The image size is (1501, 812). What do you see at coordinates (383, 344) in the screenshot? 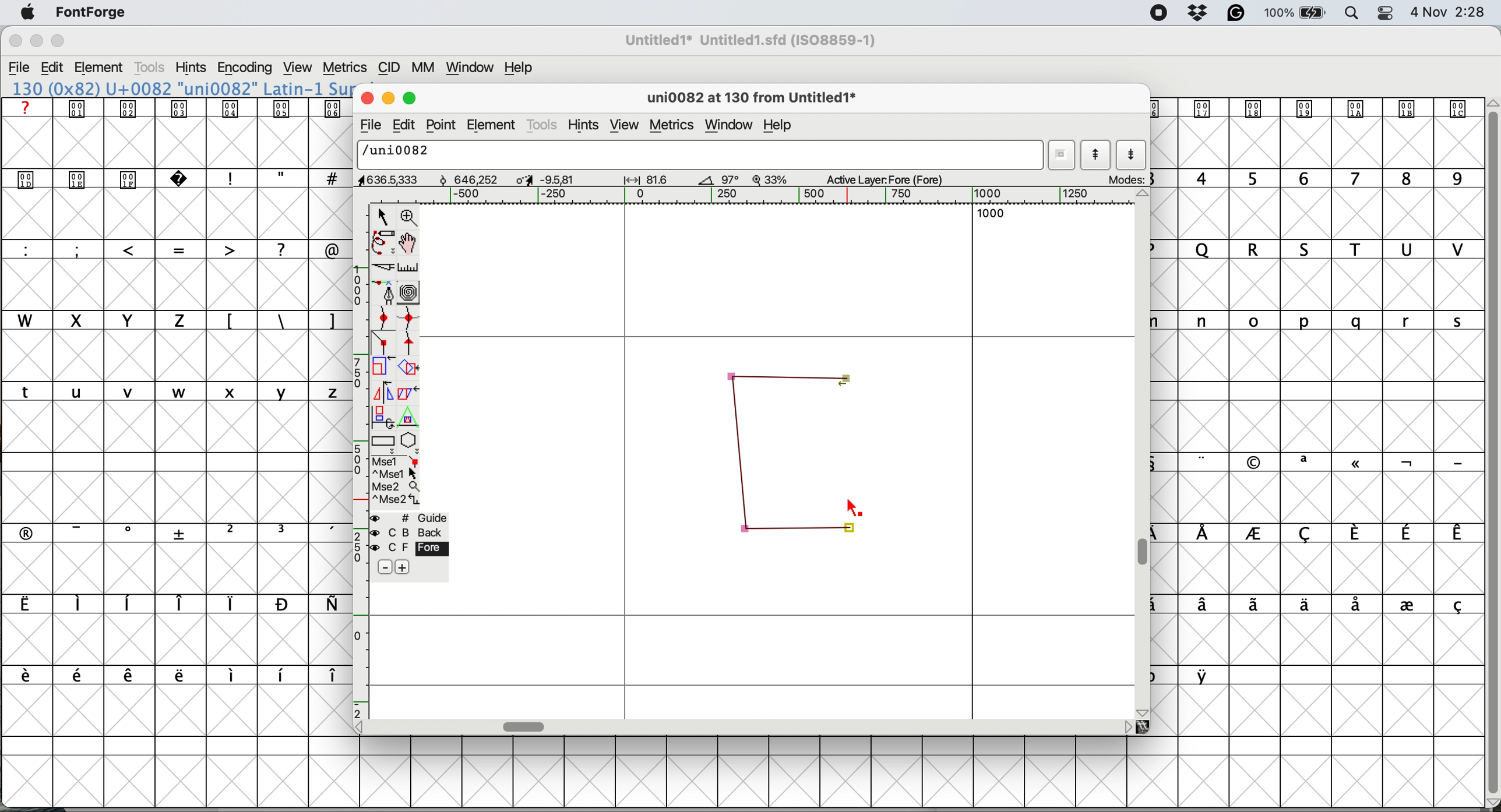
I see `add a corner point` at bounding box center [383, 344].